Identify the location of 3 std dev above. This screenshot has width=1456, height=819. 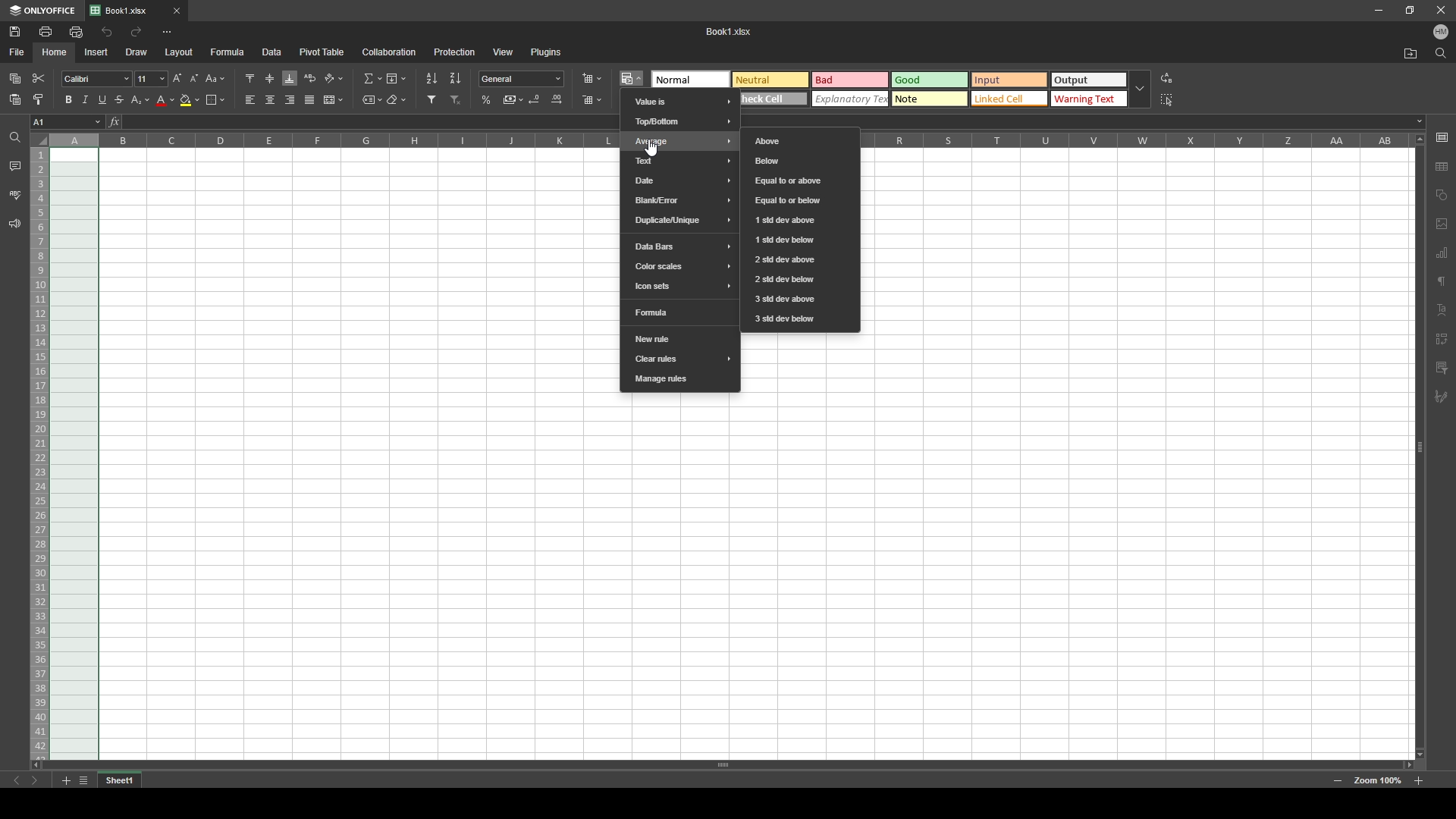
(802, 300).